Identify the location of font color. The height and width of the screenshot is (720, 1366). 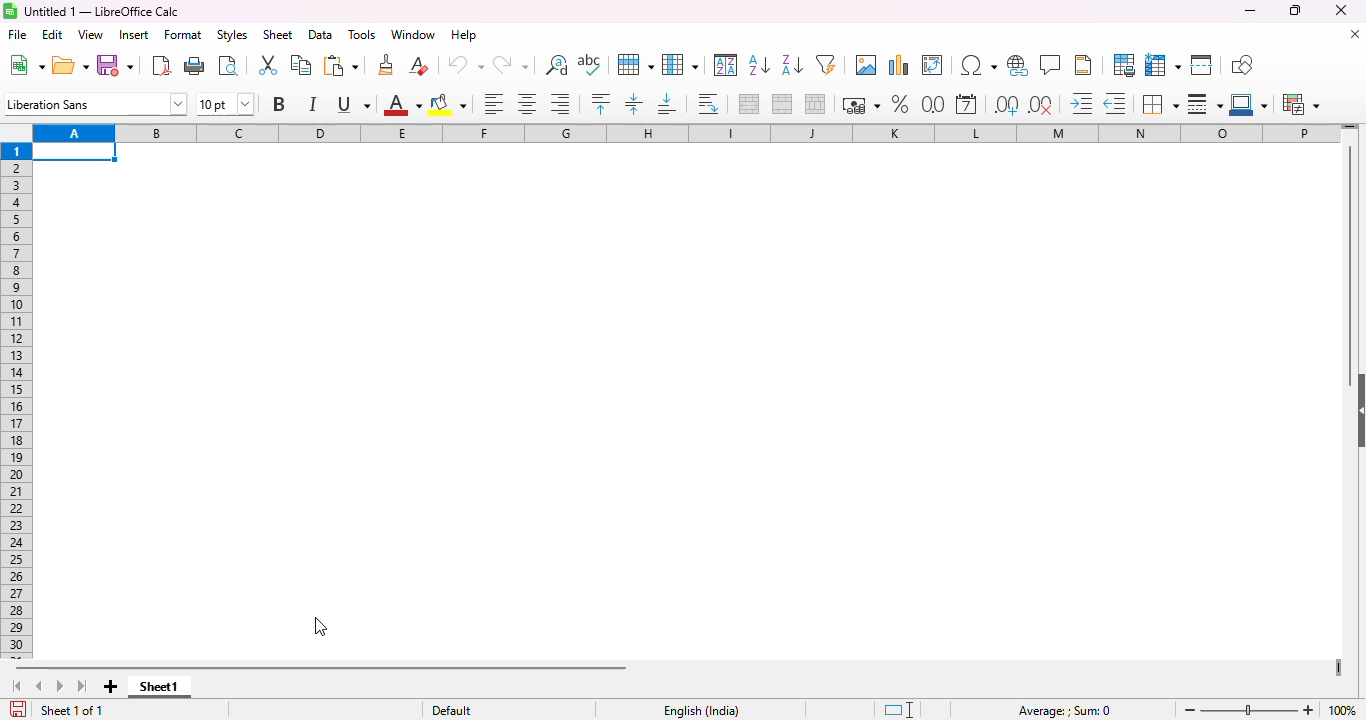
(401, 104).